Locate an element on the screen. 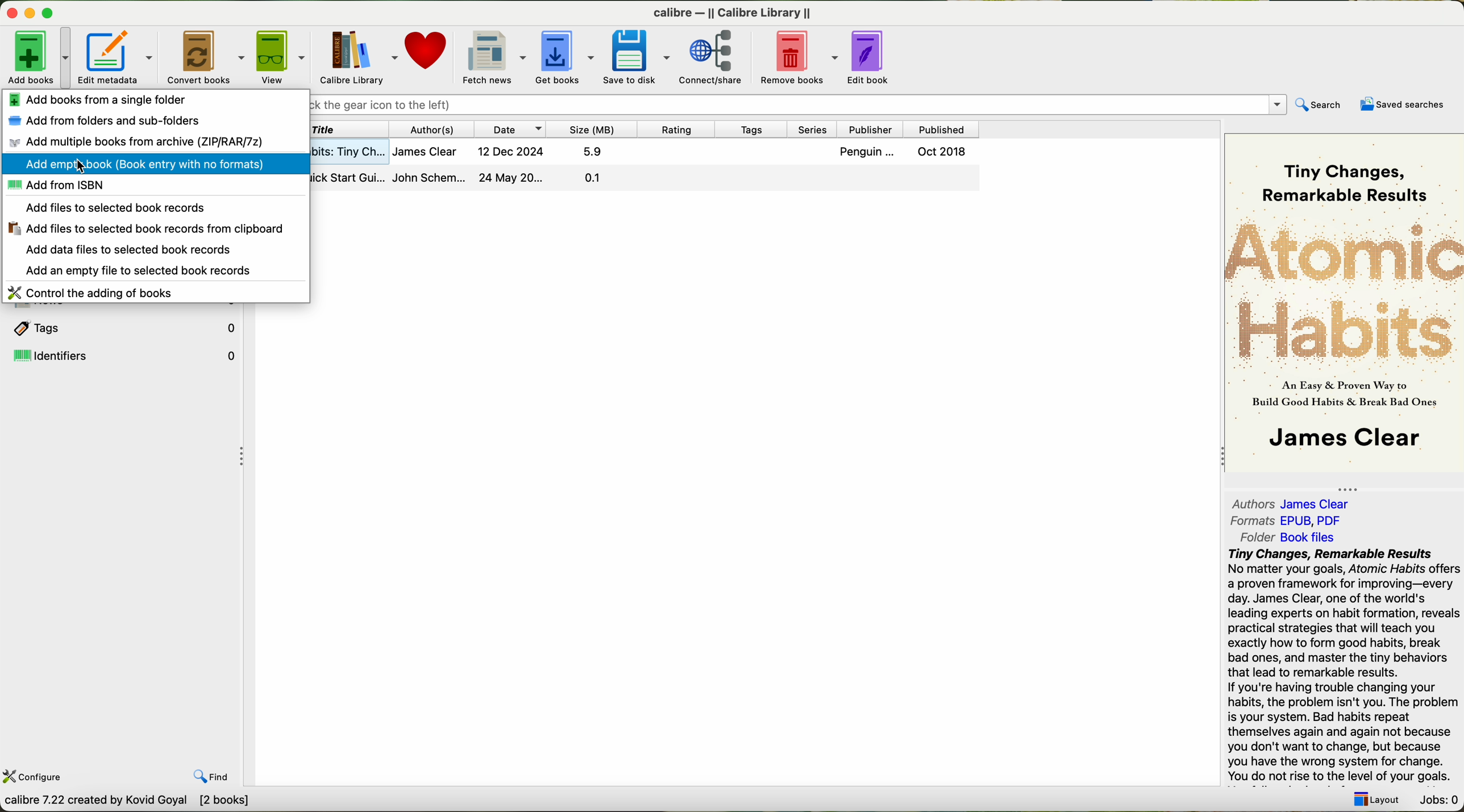  click on add empy book is located at coordinates (155, 165).